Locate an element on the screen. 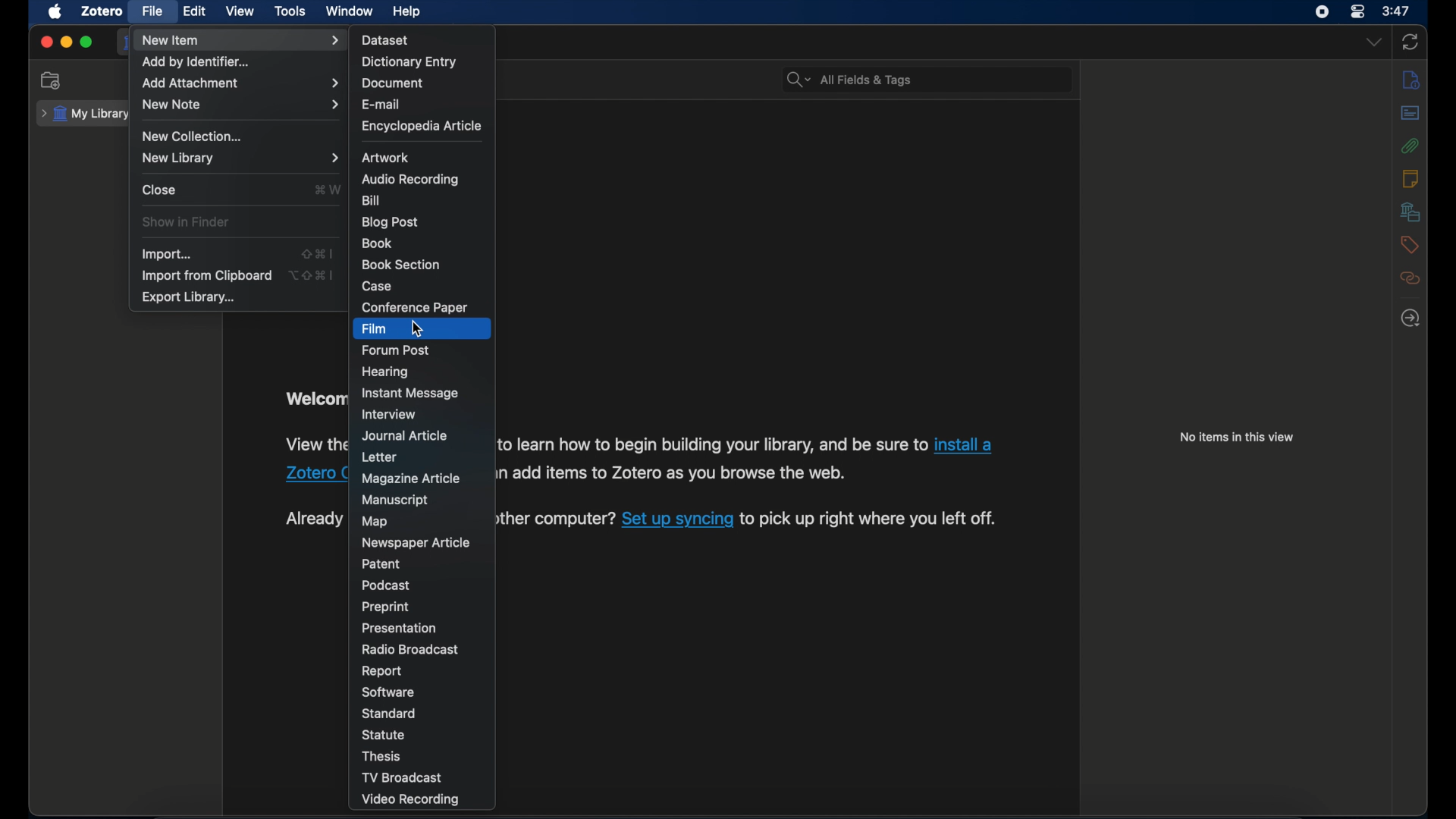 This screenshot has width=1456, height=819. new library is located at coordinates (240, 158).